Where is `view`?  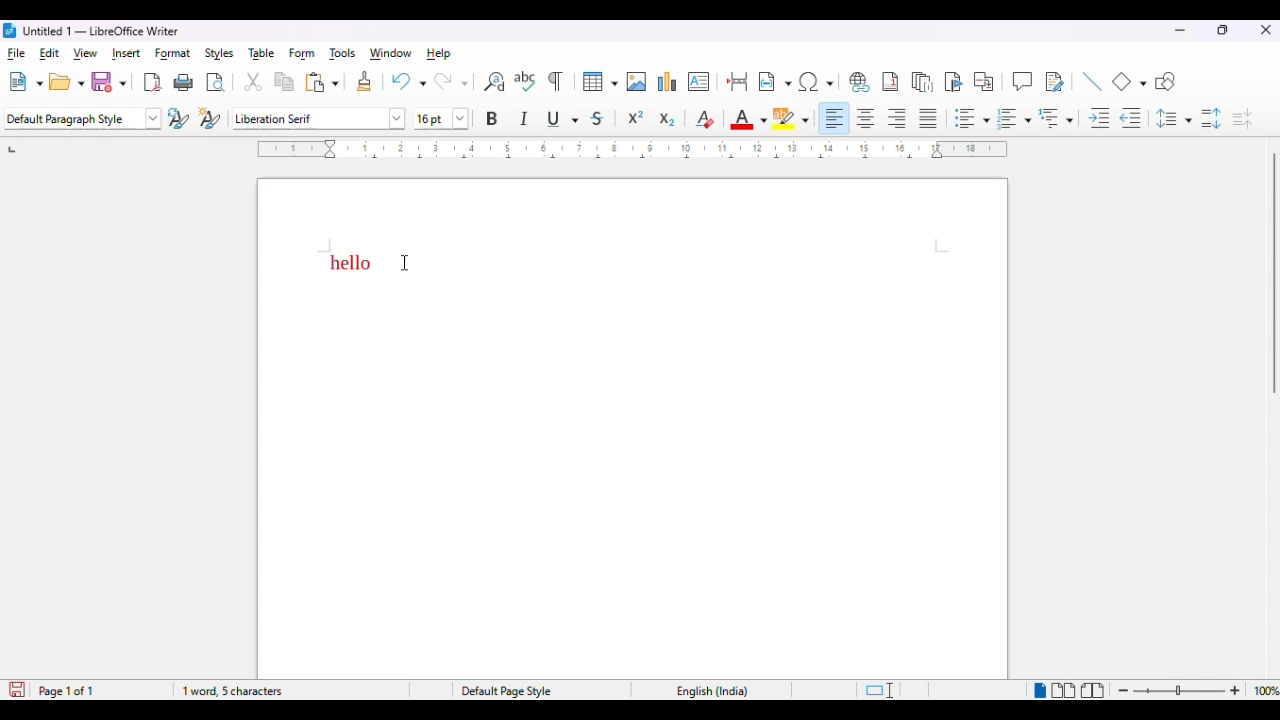
view is located at coordinates (86, 53).